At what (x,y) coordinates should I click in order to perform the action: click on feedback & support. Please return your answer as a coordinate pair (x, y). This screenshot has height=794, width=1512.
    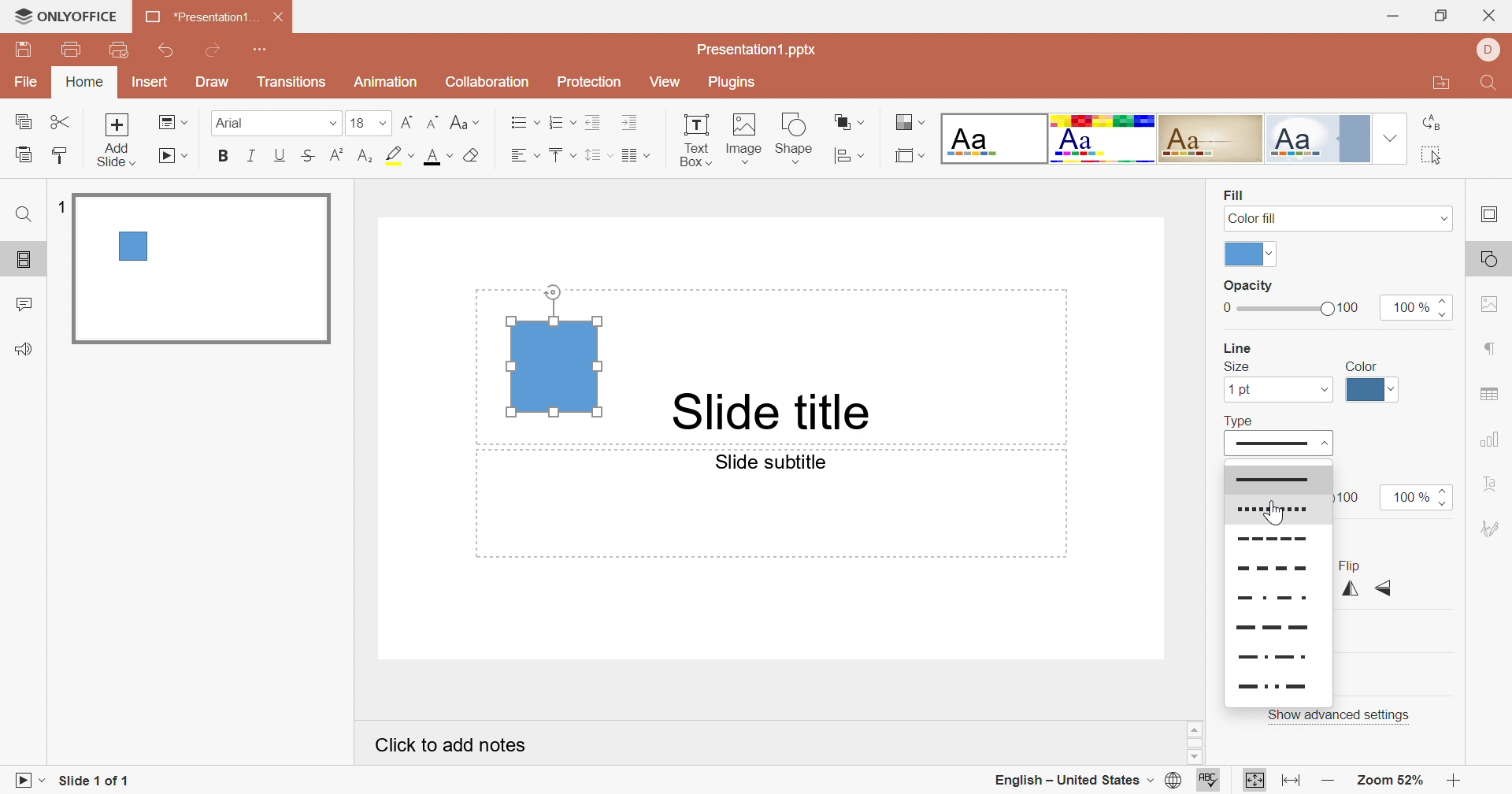
    Looking at the image, I should click on (23, 348).